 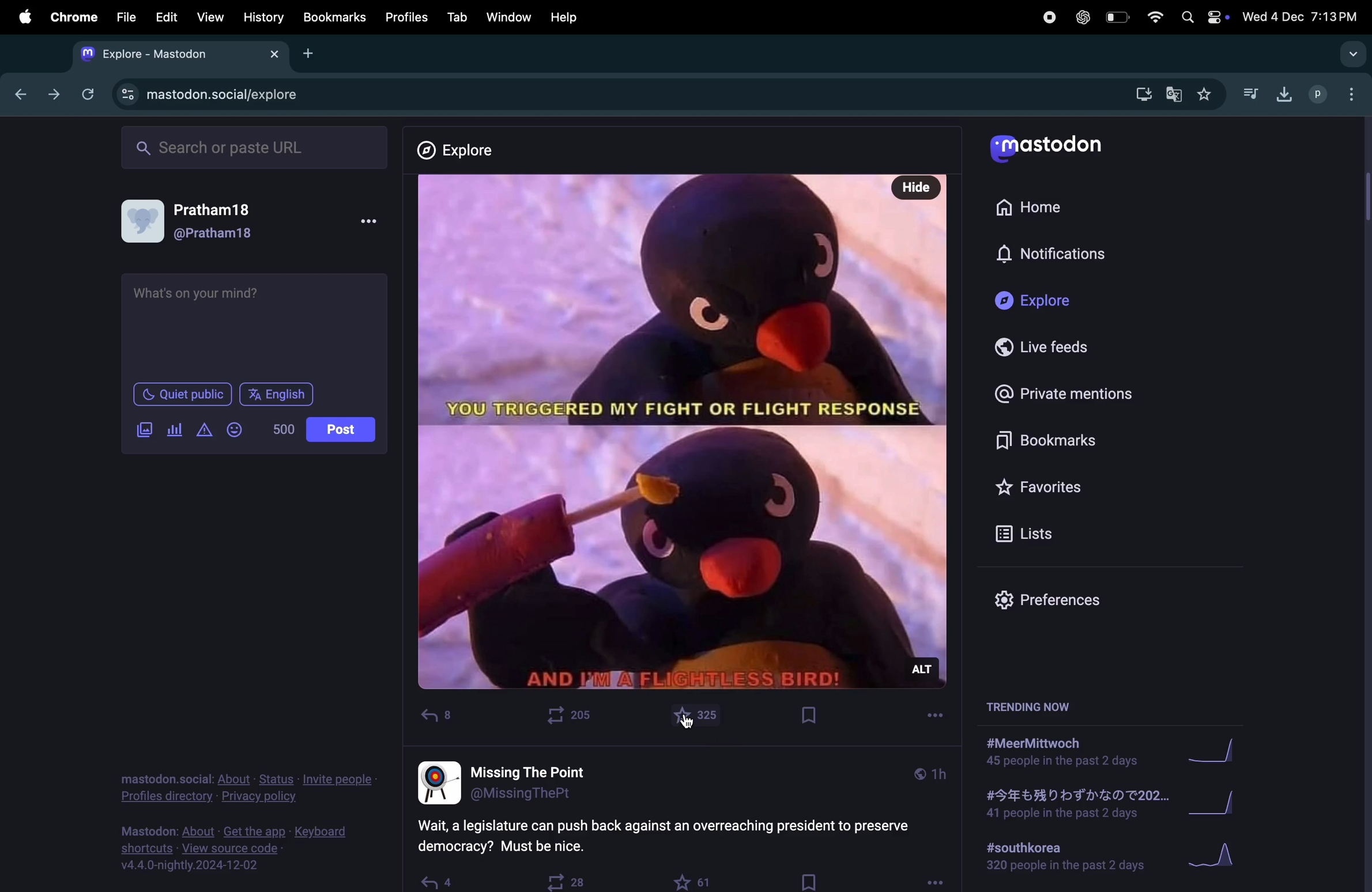 I want to click on username, so click(x=682, y=780).